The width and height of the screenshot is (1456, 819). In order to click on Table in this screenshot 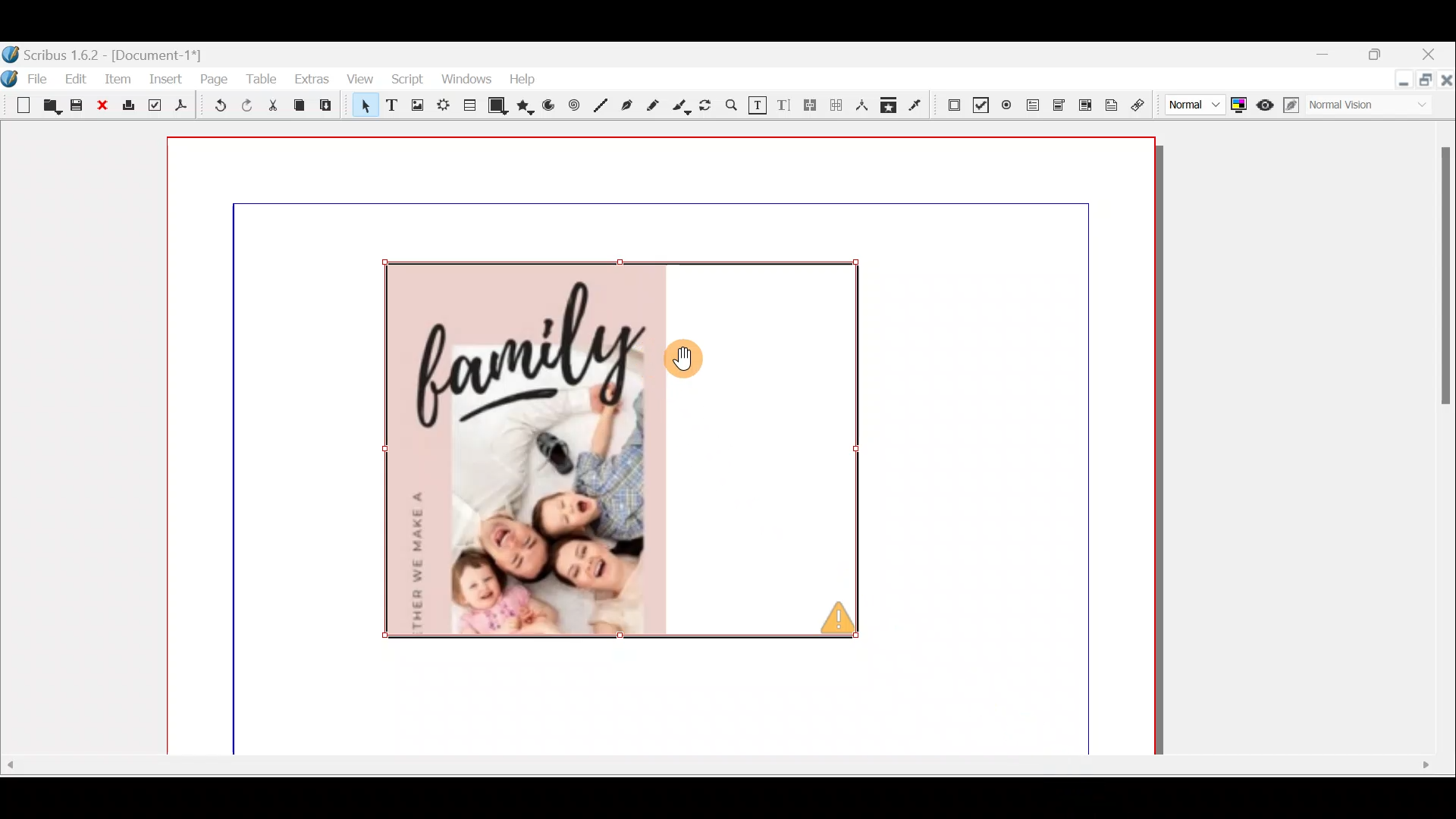, I will do `click(467, 103)`.